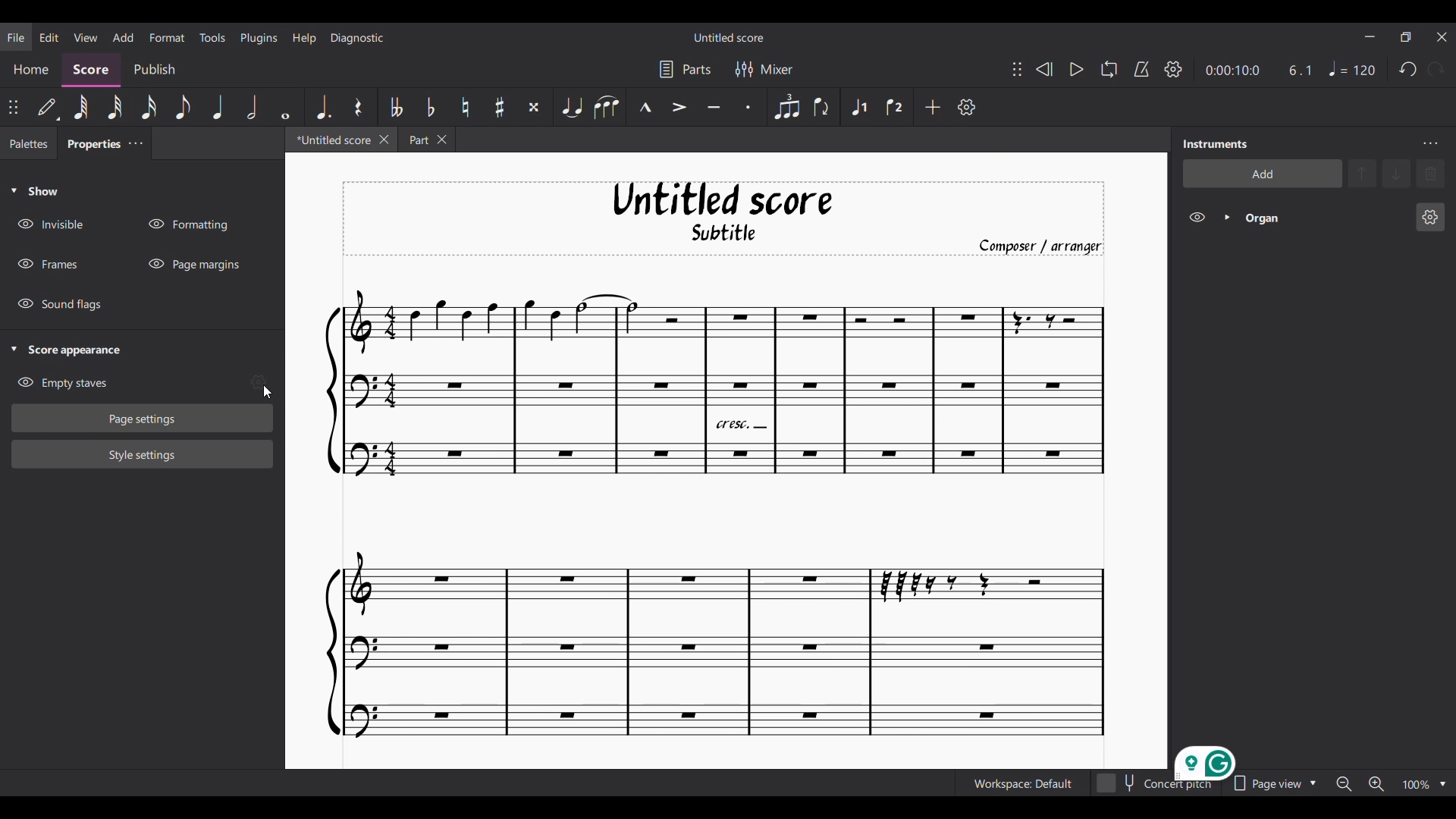  Describe the element at coordinates (1173, 68) in the screenshot. I see `Playback settings` at that location.